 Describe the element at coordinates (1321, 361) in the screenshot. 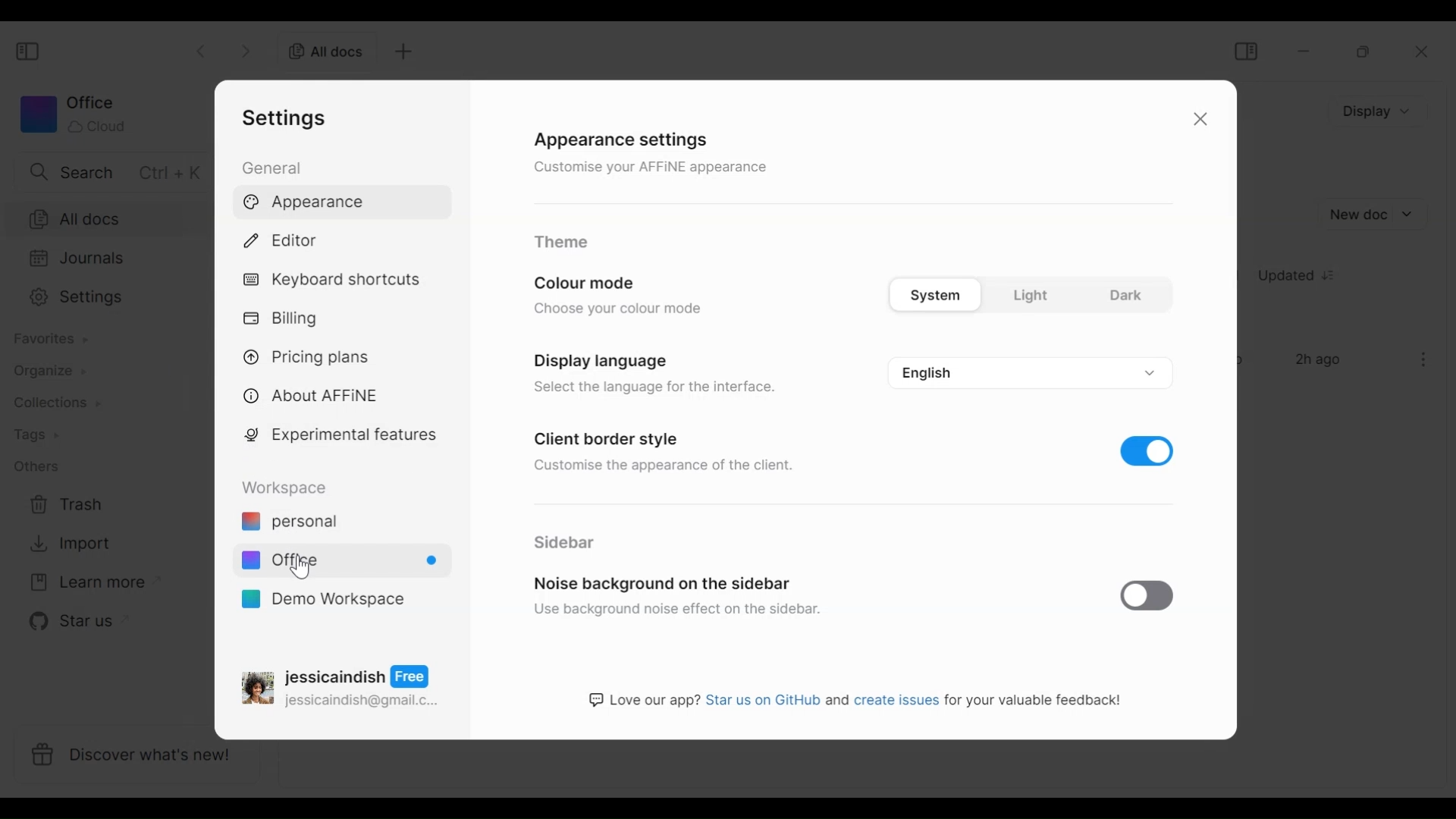

I see `2h ago` at that location.